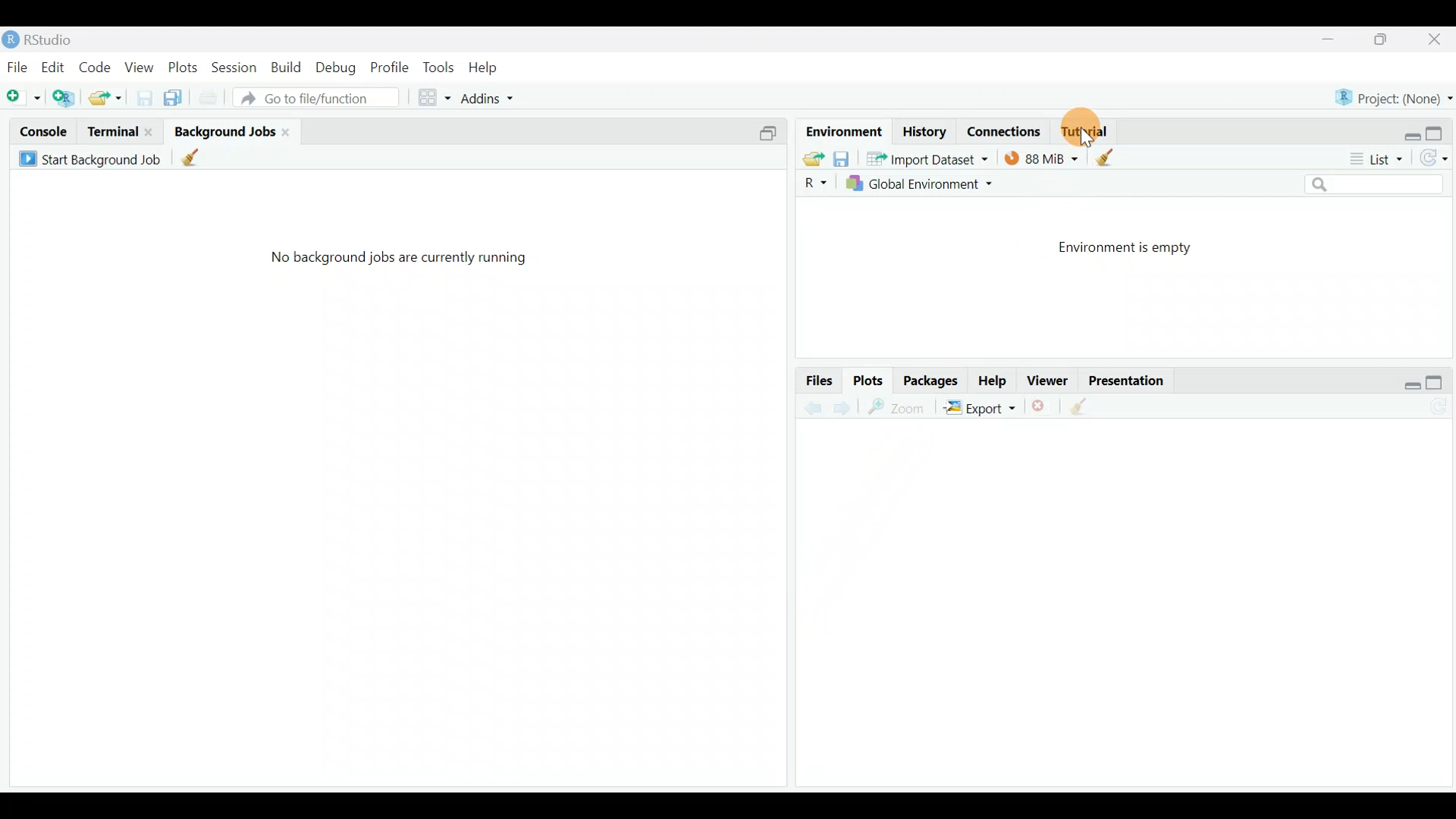  What do you see at coordinates (1096, 131) in the screenshot?
I see `Cursor` at bounding box center [1096, 131].